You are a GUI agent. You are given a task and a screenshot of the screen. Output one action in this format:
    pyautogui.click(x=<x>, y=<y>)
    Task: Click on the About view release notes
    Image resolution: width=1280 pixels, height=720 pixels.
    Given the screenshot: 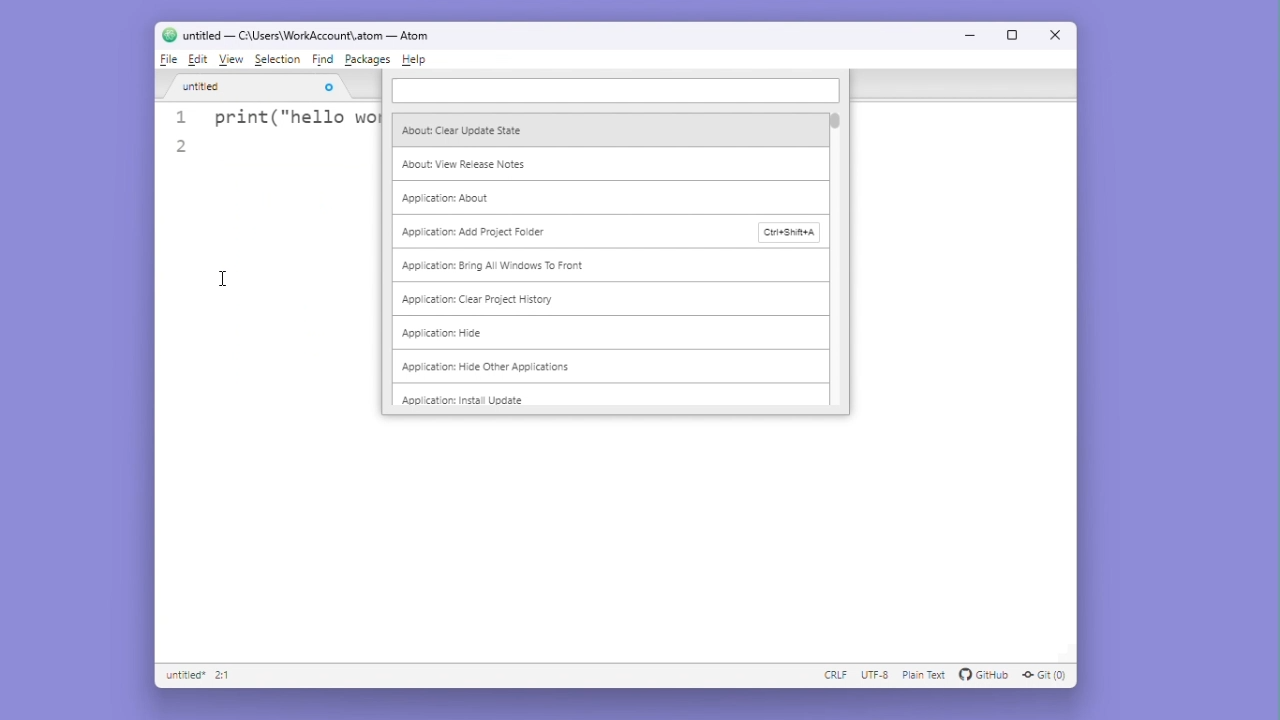 What is the action you would take?
    pyautogui.click(x=466, y=162)
    